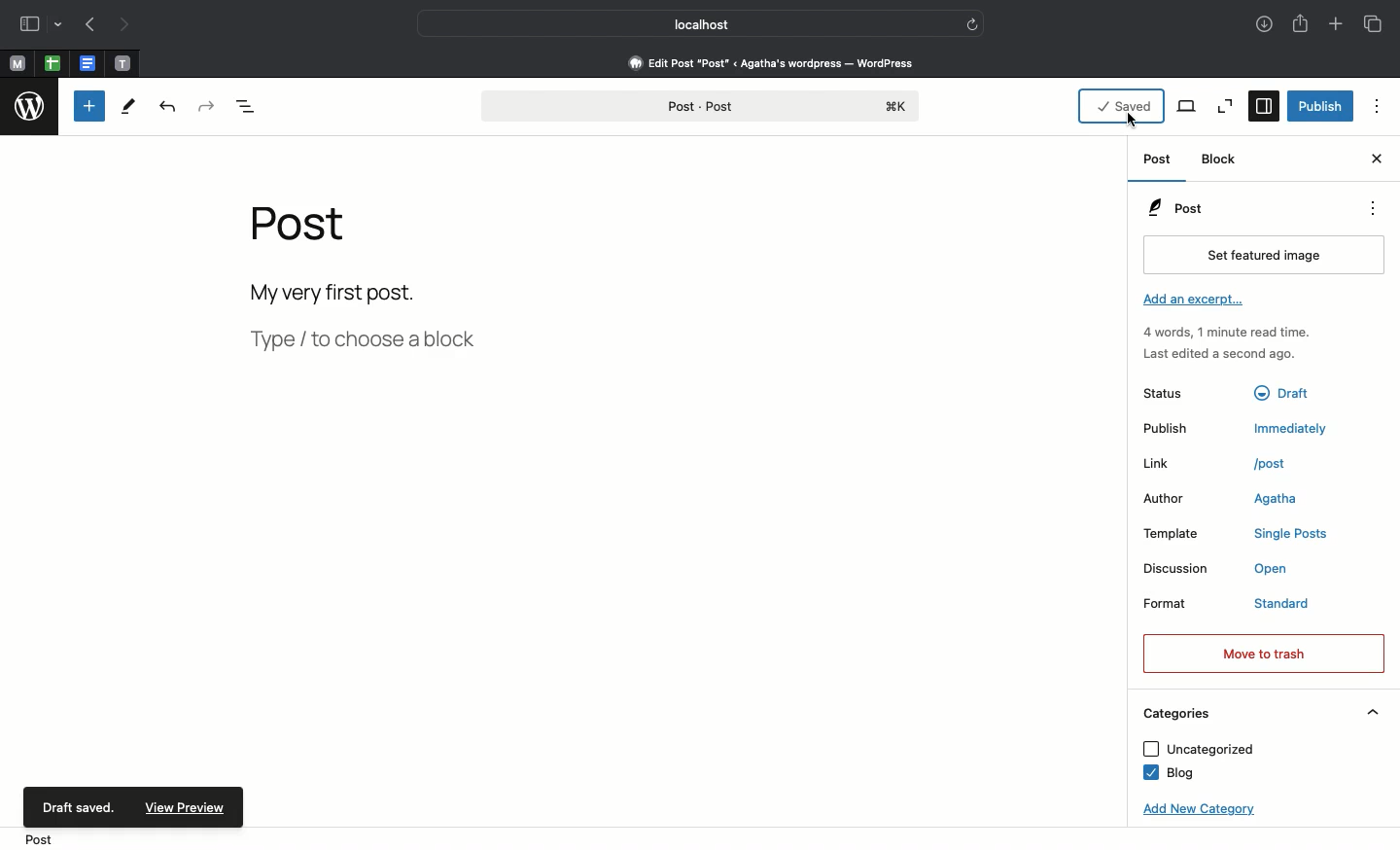  What do you see at coordinates (1276, 501) in the screenshot?
I see `agatha` at bounding box center [1276, 501].